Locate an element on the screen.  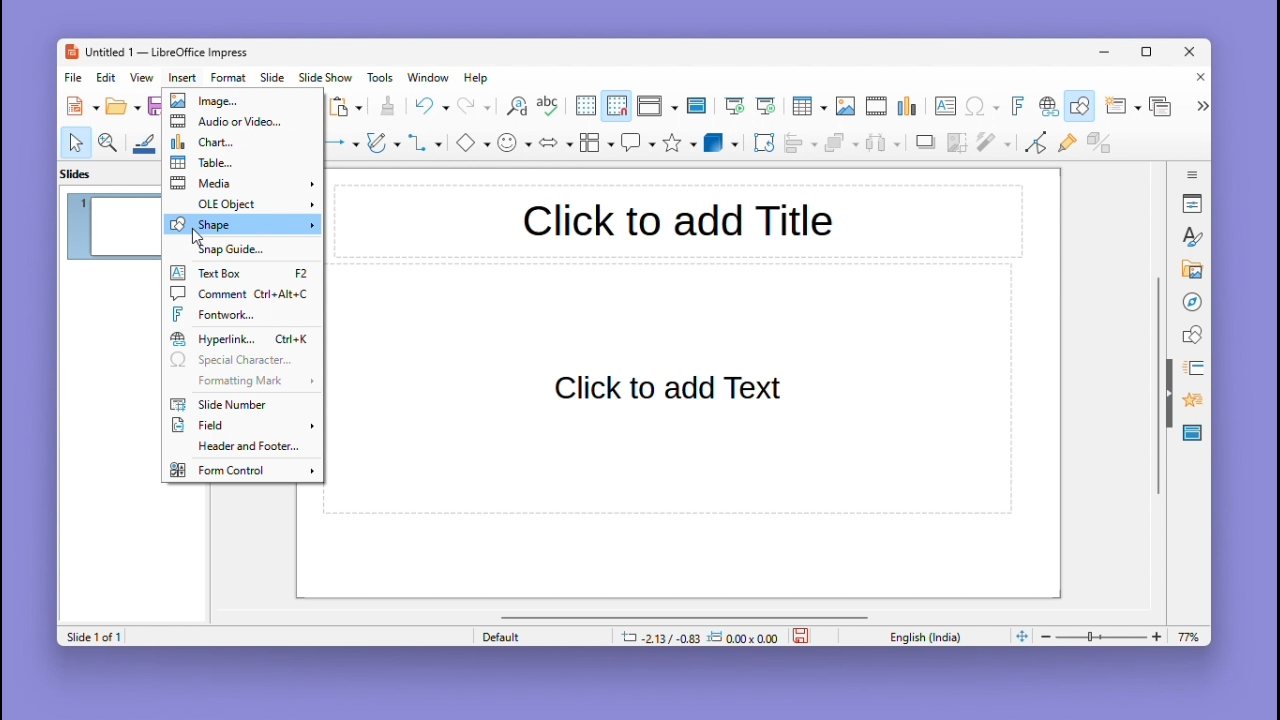
snap to grid is located at coordinates (616, 106).